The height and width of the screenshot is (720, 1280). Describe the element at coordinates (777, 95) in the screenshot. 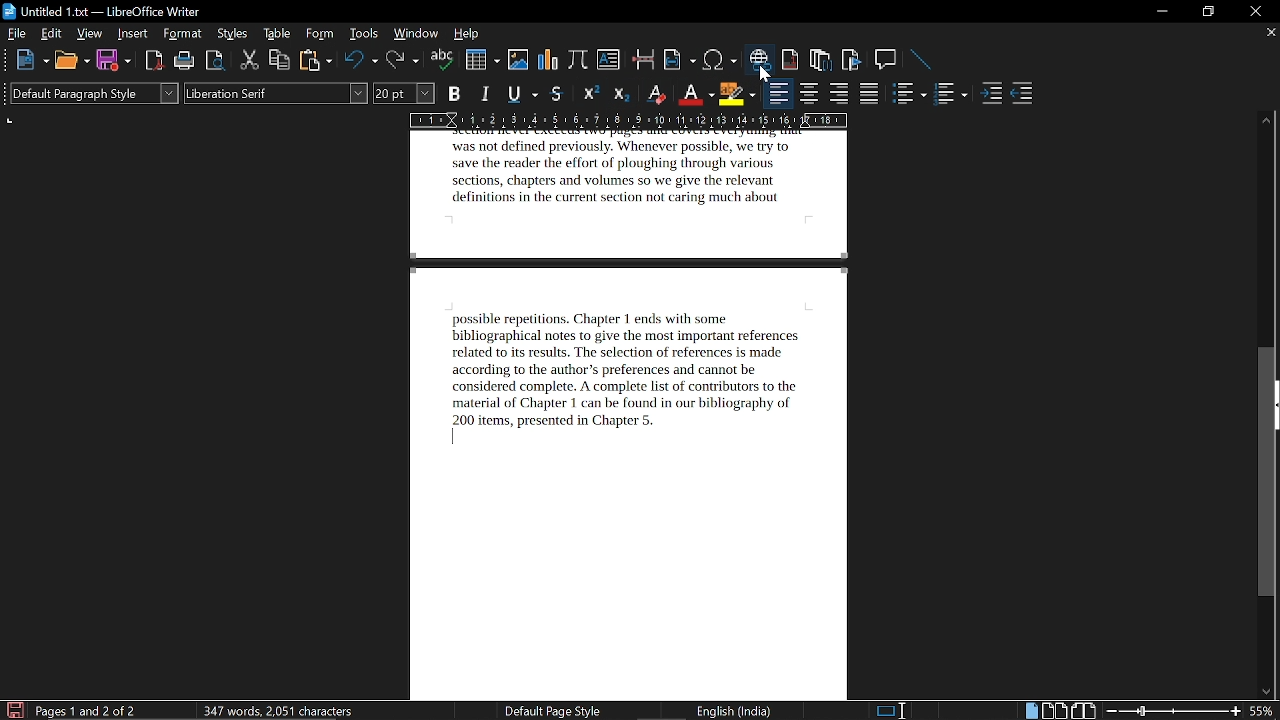

I see `align left` at that location.